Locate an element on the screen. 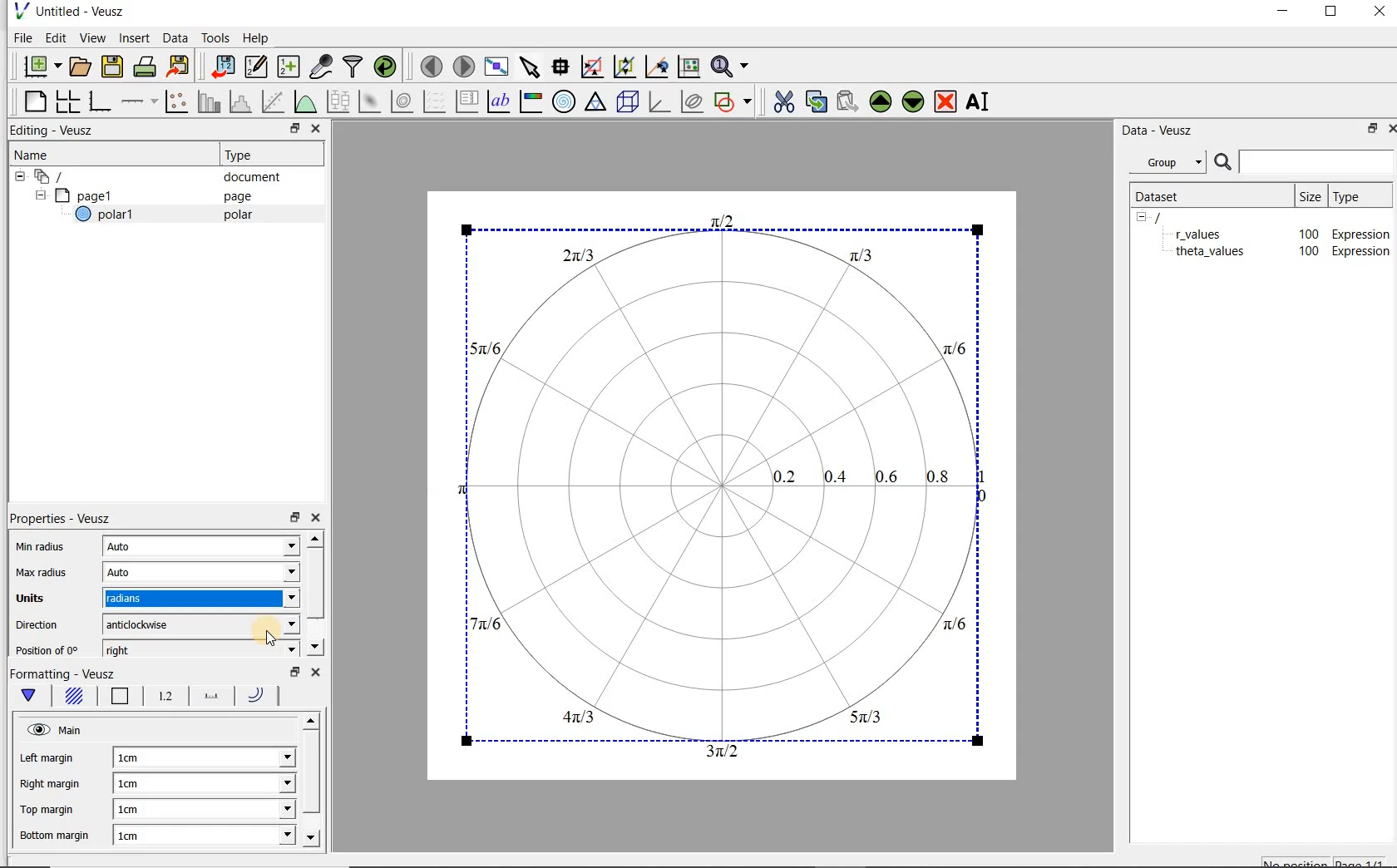 This screenshot has width=1397, height=868. close is located at coordinates (317, 517).